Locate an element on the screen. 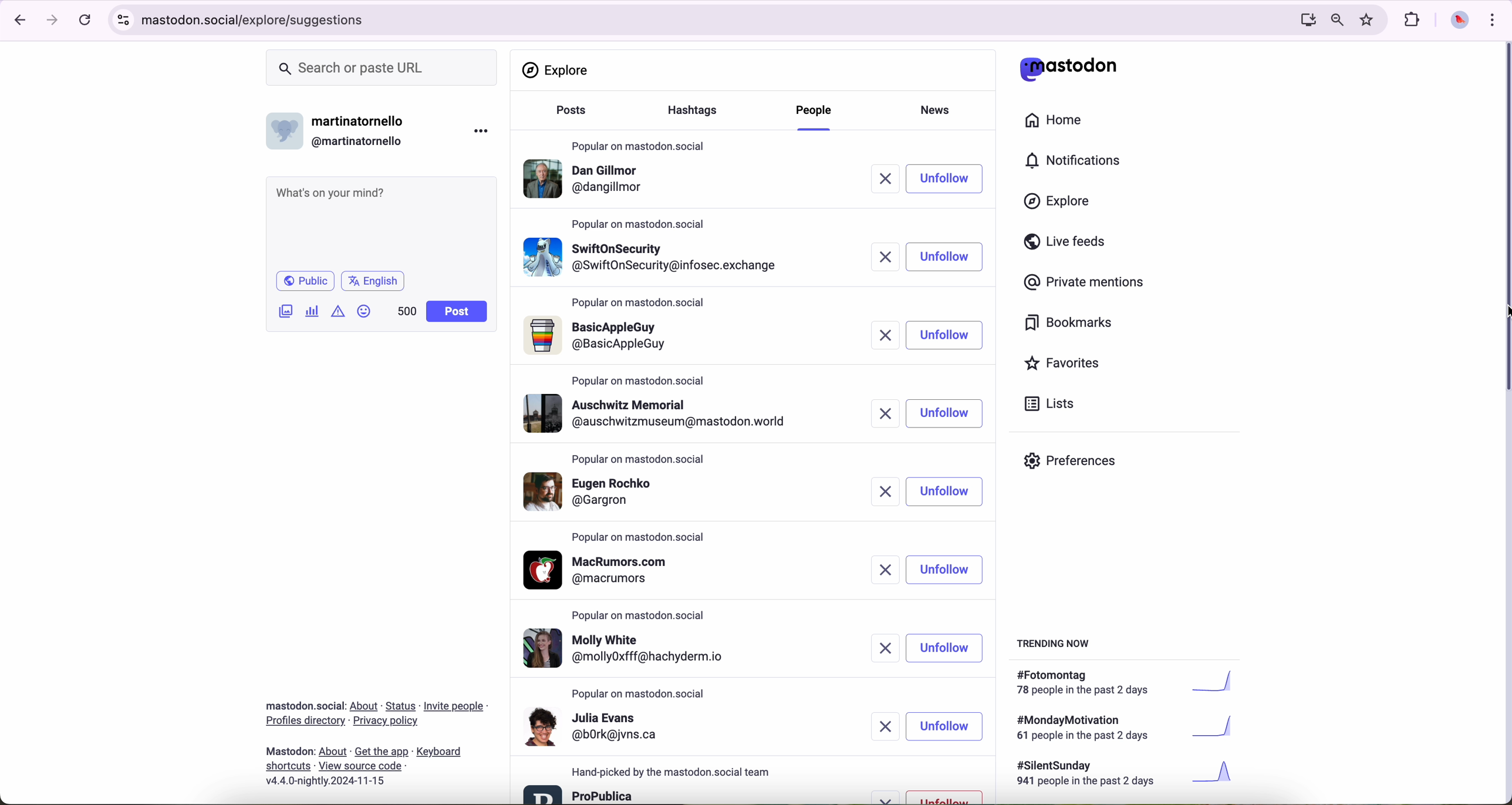 Image resolution: width=1512 pixels, height=805 pixels. profile is located at coordinates (604, 570).